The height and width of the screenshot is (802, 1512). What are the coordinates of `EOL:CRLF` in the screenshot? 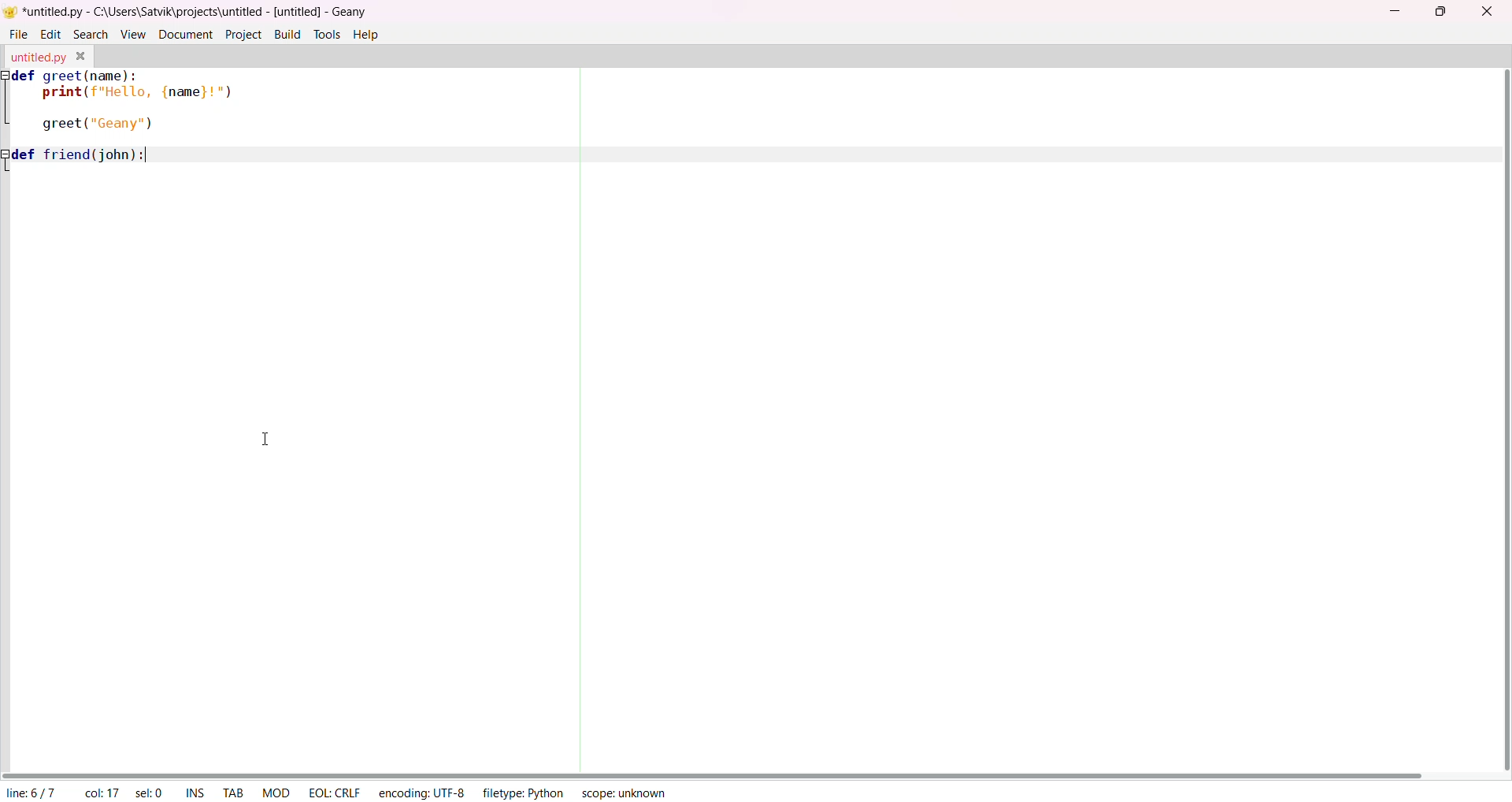 It's located at (328, 791).